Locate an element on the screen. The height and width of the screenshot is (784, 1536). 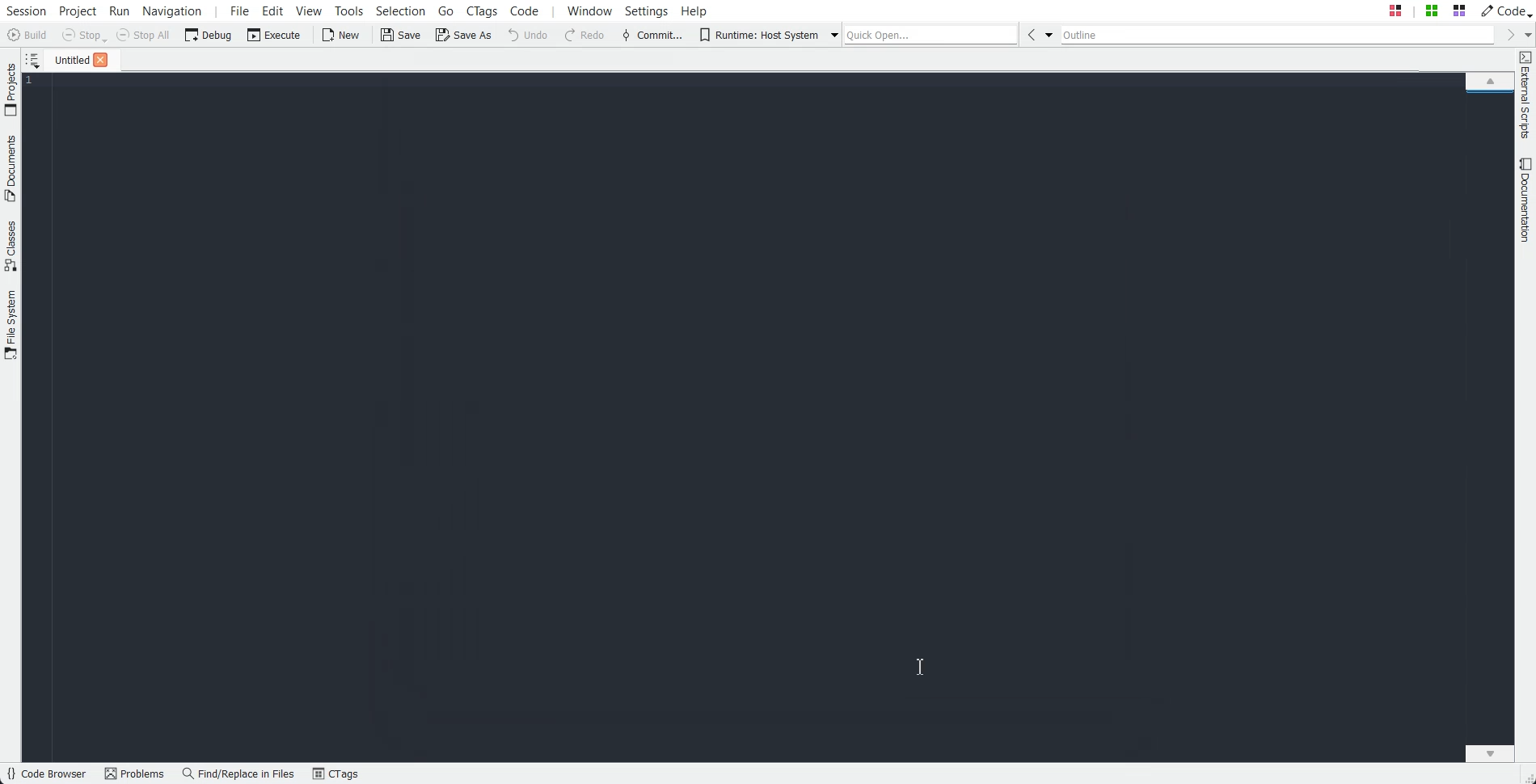
Save is located at coordinates (402, 35).